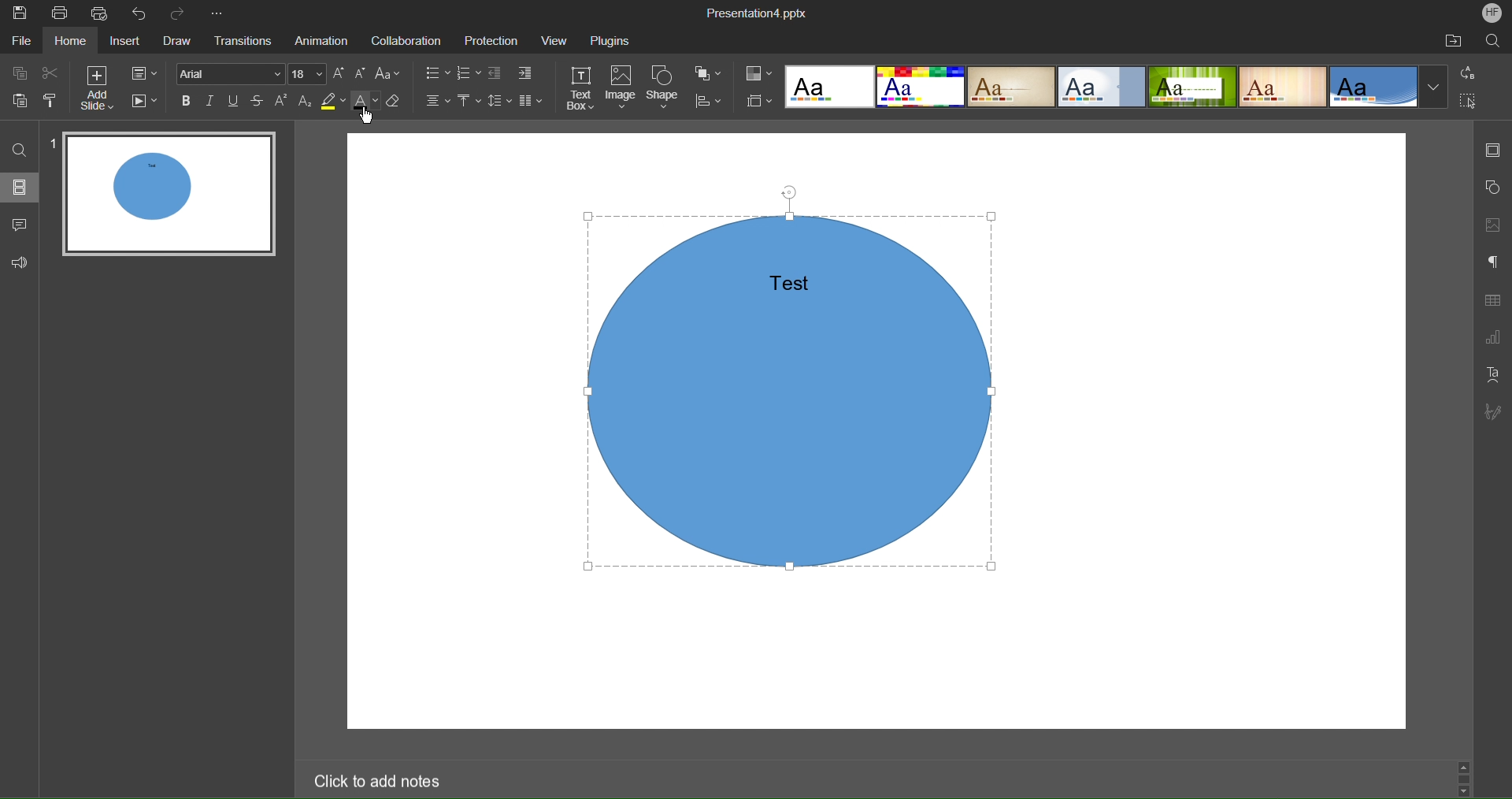 This screenshot has width=1512, height=799. What do you see at coordinates (242, 39) in the screenshot?
I see `Transitions` at bounding box center [242, 39].